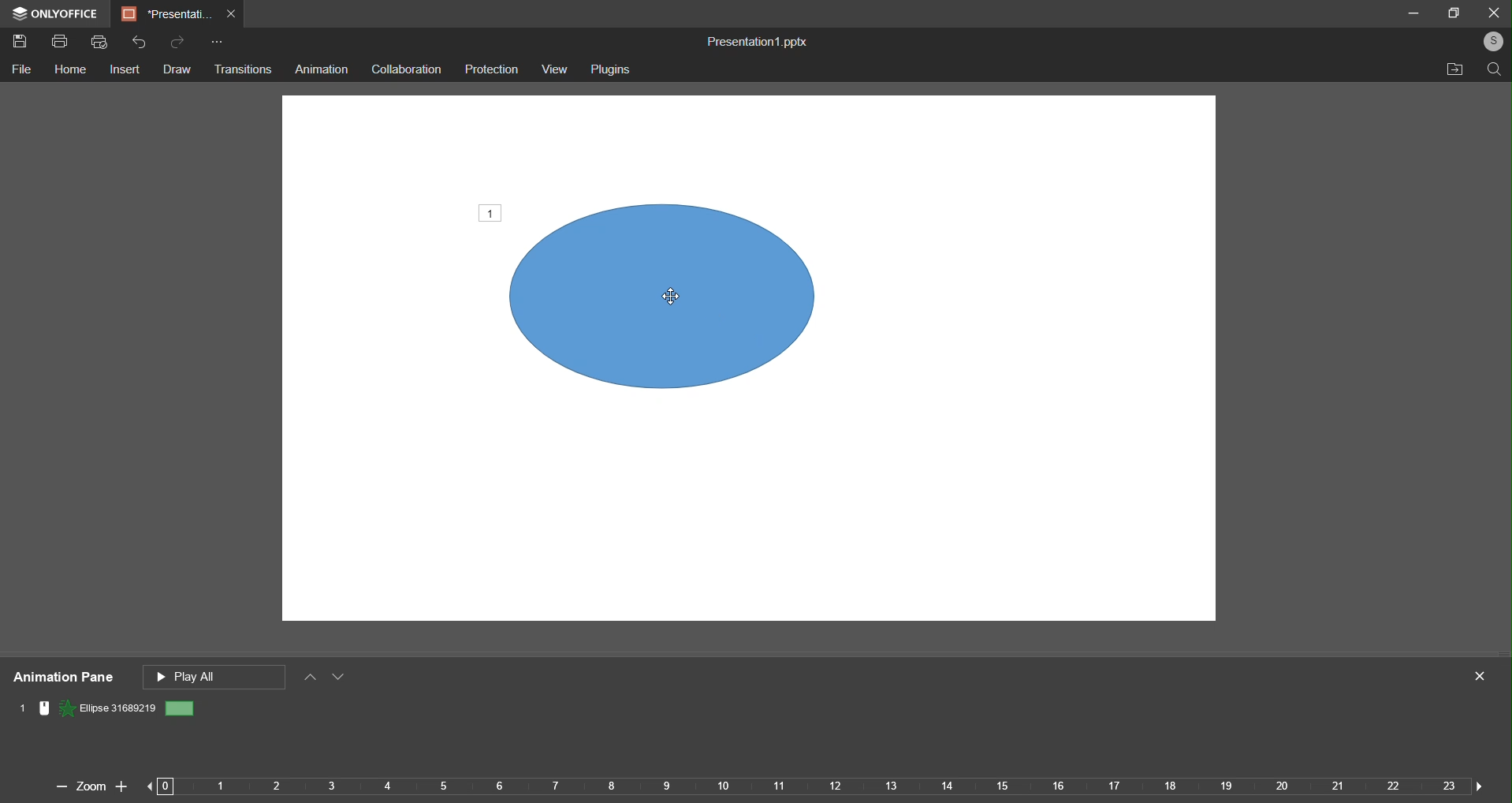 This screenshot has width=1512, height=803. Describe the element at coordinates (492, 69) in the screenshot. I see `prediction` at that location.